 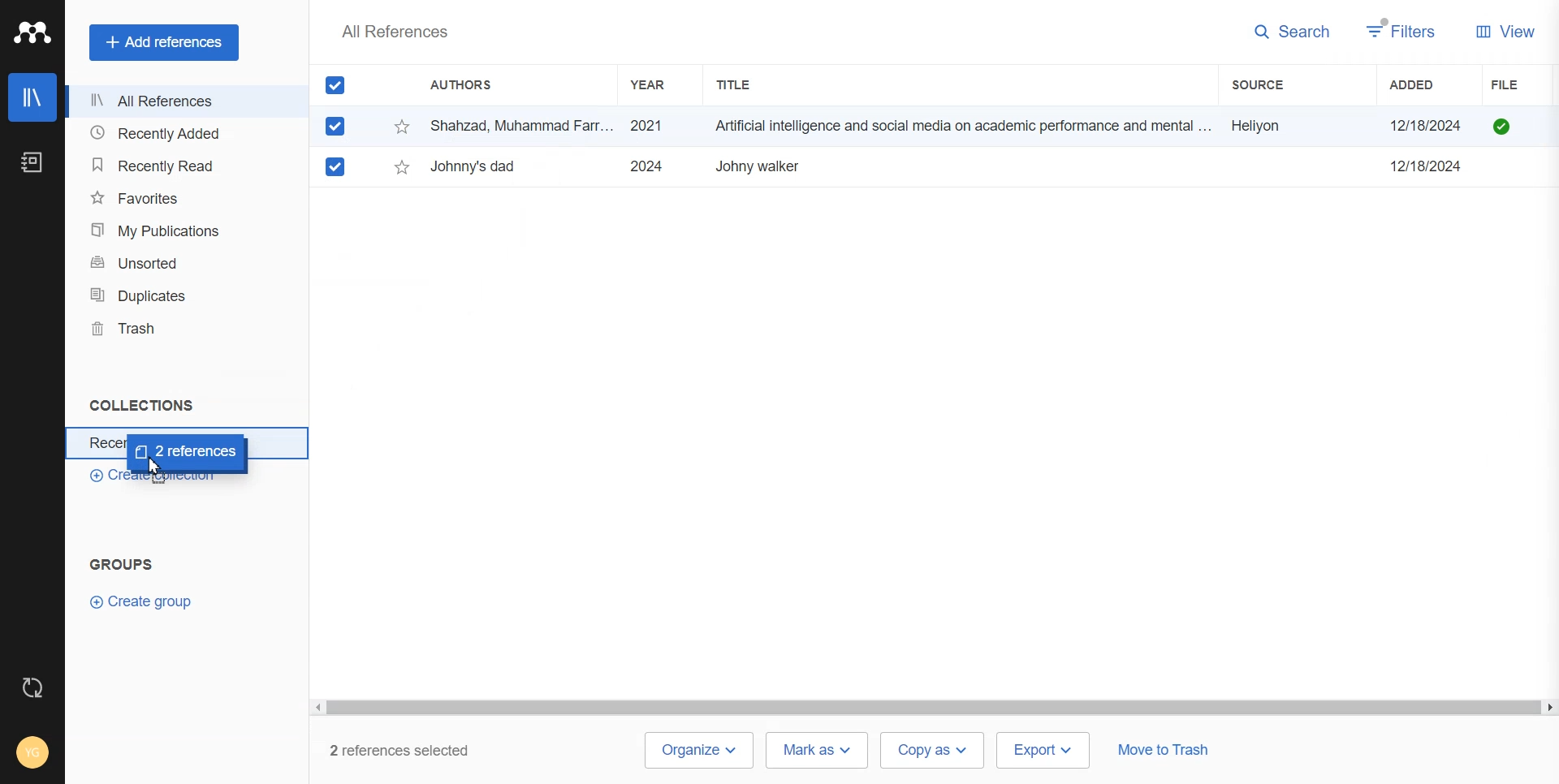 What do you see at coordinates (1548, 709) in the screenshot?
I see `scroll right` at bounding box center [1548, 709].